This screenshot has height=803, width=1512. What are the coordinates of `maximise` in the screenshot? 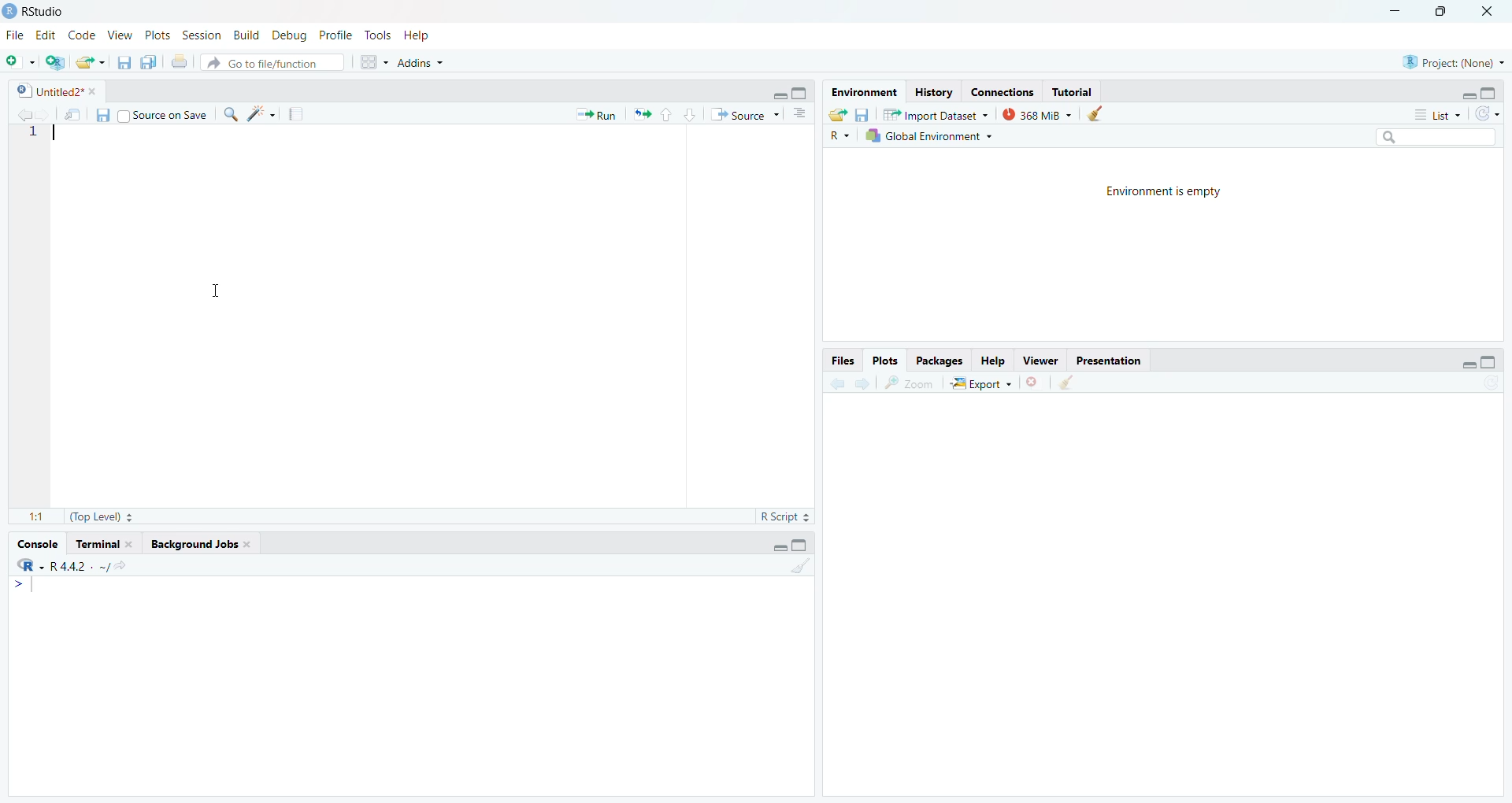 It's located at (1492, 362).